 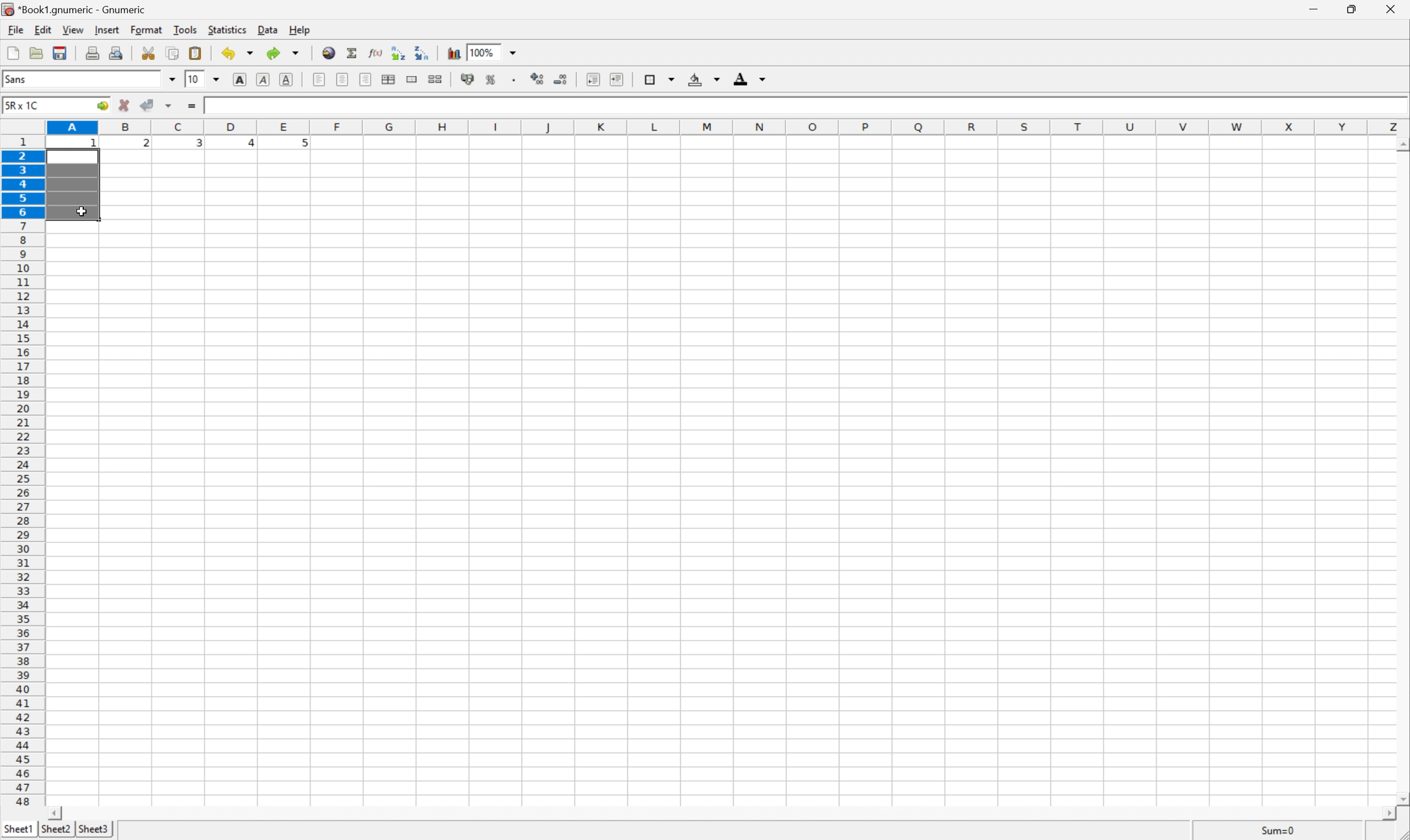 What do you see at coordinates (92, 52) in the screenshot?
I see `print` at bounding box center [92, 52].